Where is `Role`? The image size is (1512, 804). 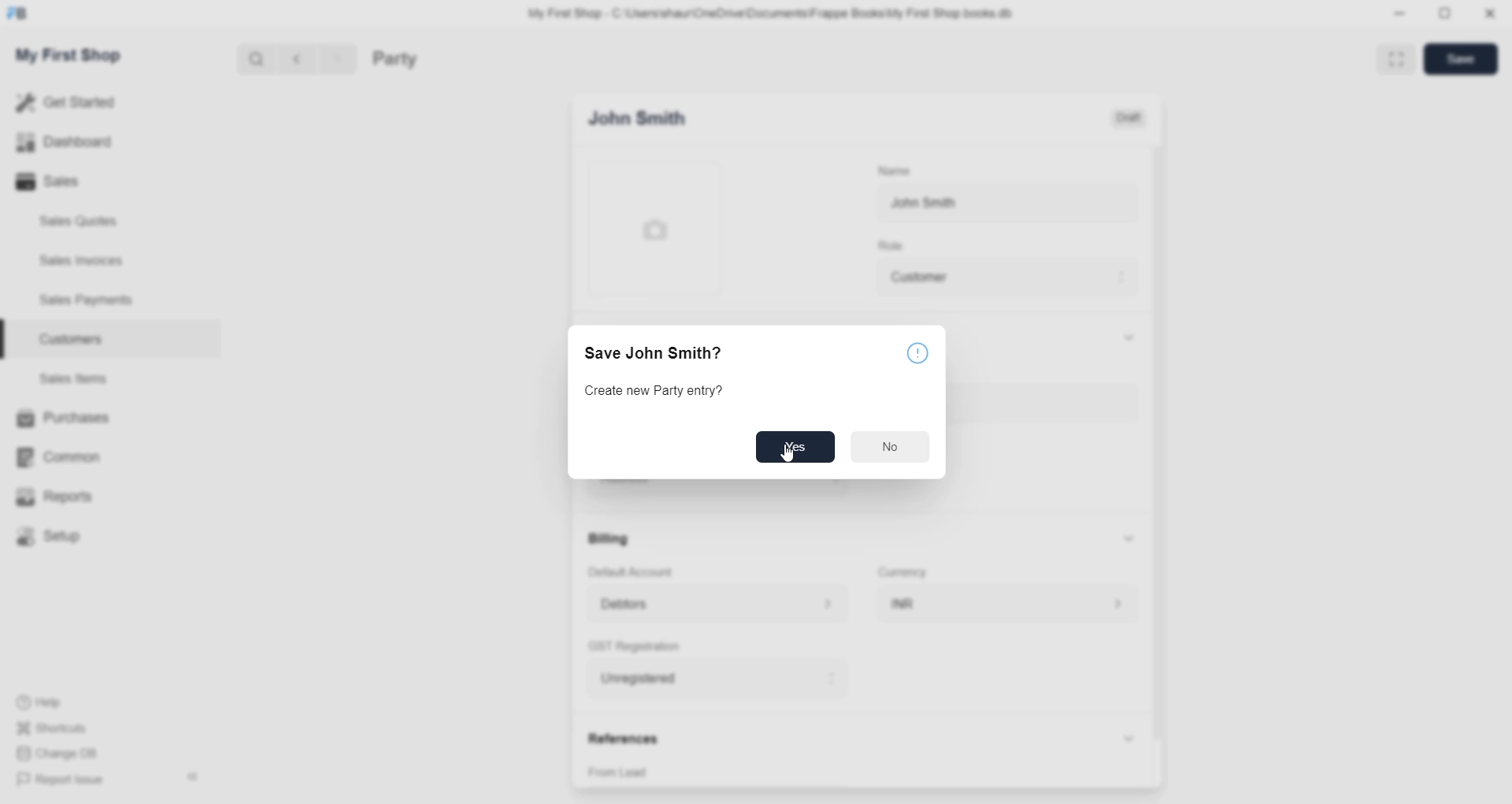 Role is located at coordinates (896, 247).